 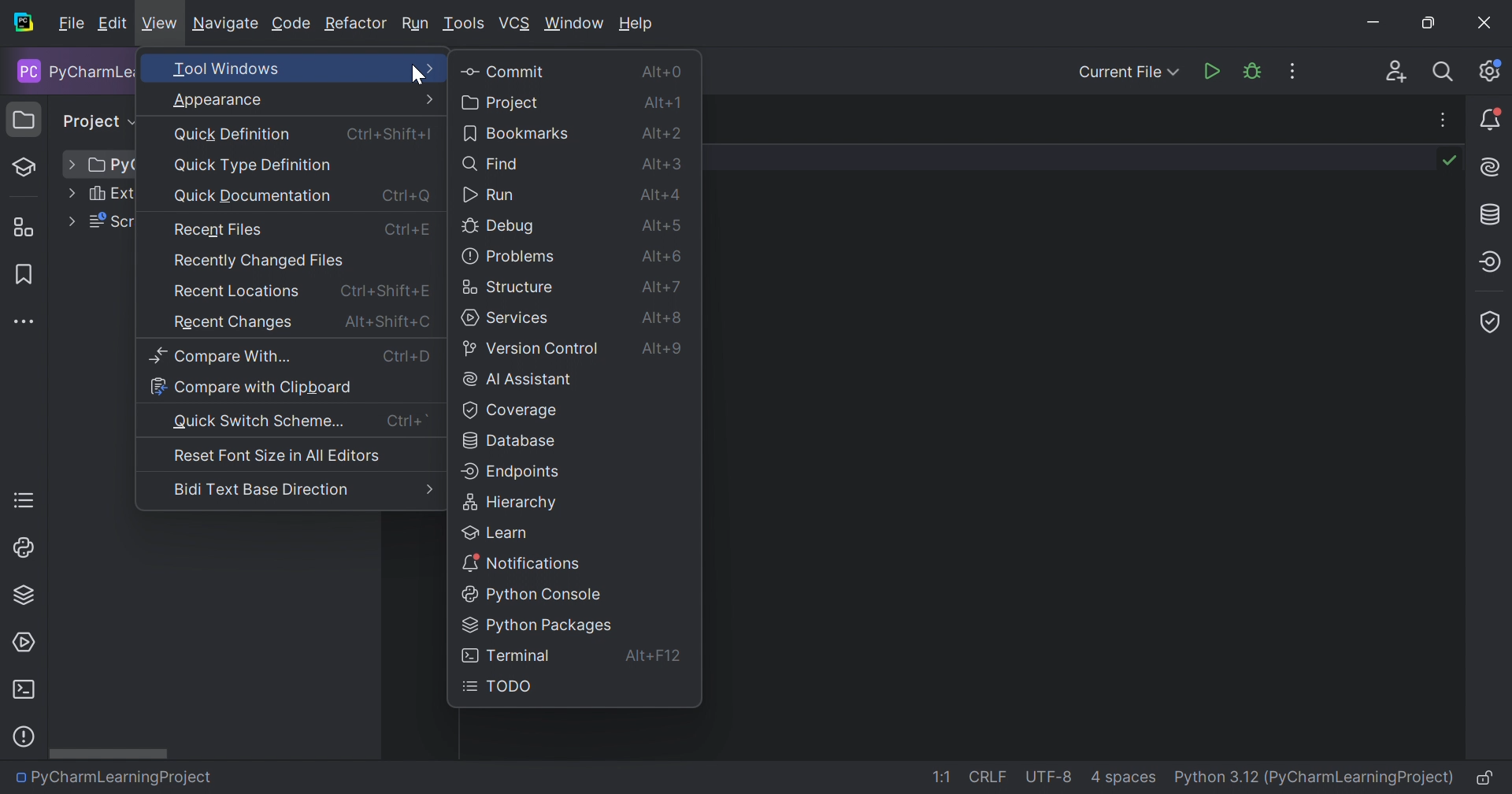 What do you see at coordinates (98, 122) in the screenshot?
I see `Project` at bounding box center [98, 122].